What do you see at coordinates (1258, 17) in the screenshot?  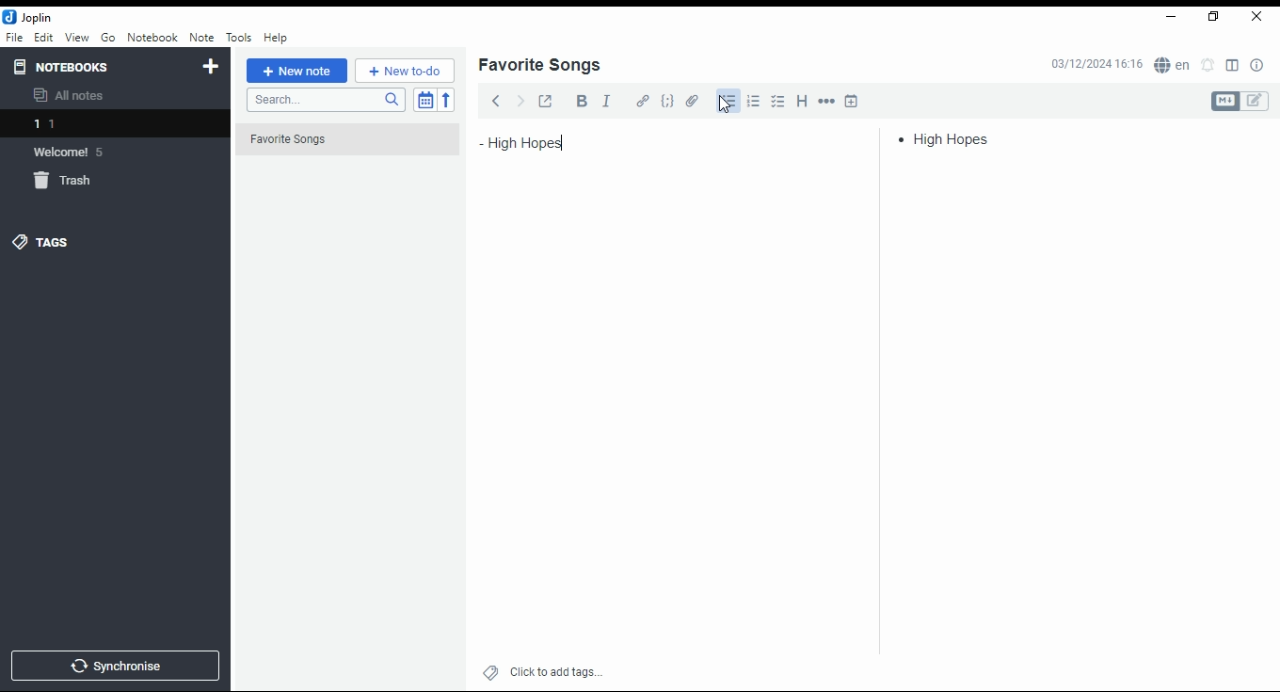 I see `close window` at bounding box center [1258, 17].